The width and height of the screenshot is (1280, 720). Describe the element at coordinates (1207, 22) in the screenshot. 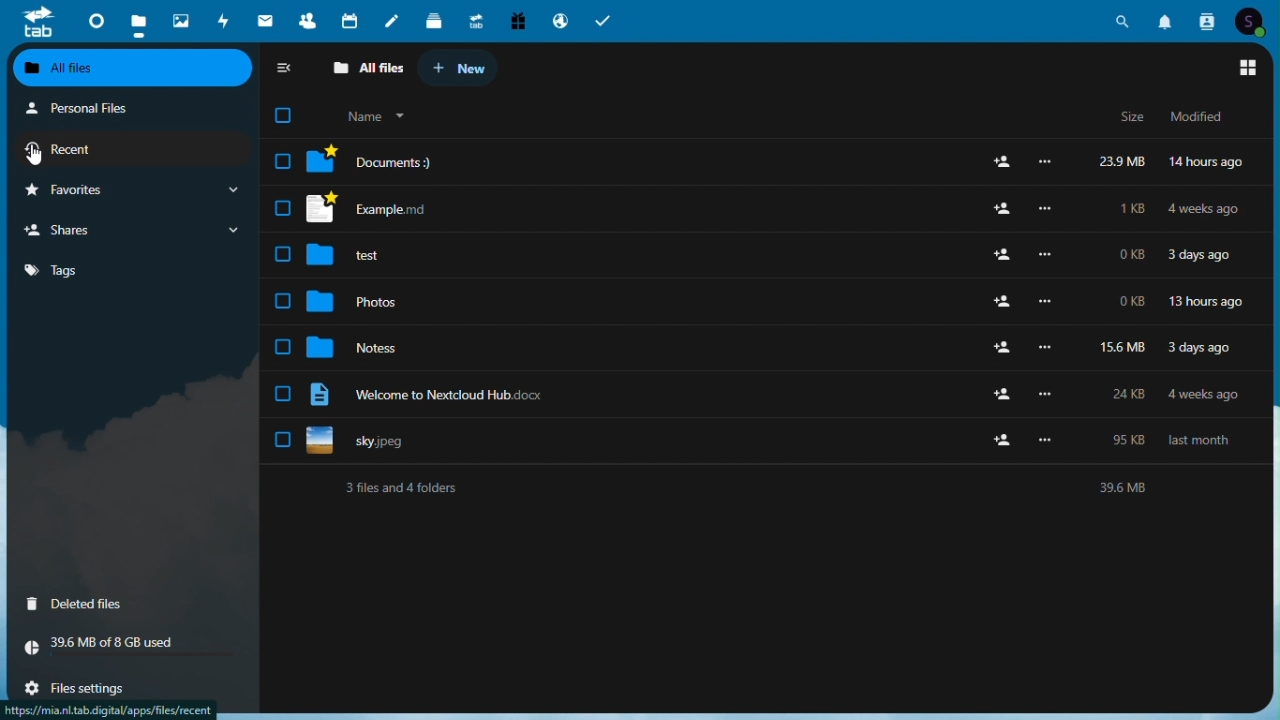

I see `contacts` at that location.